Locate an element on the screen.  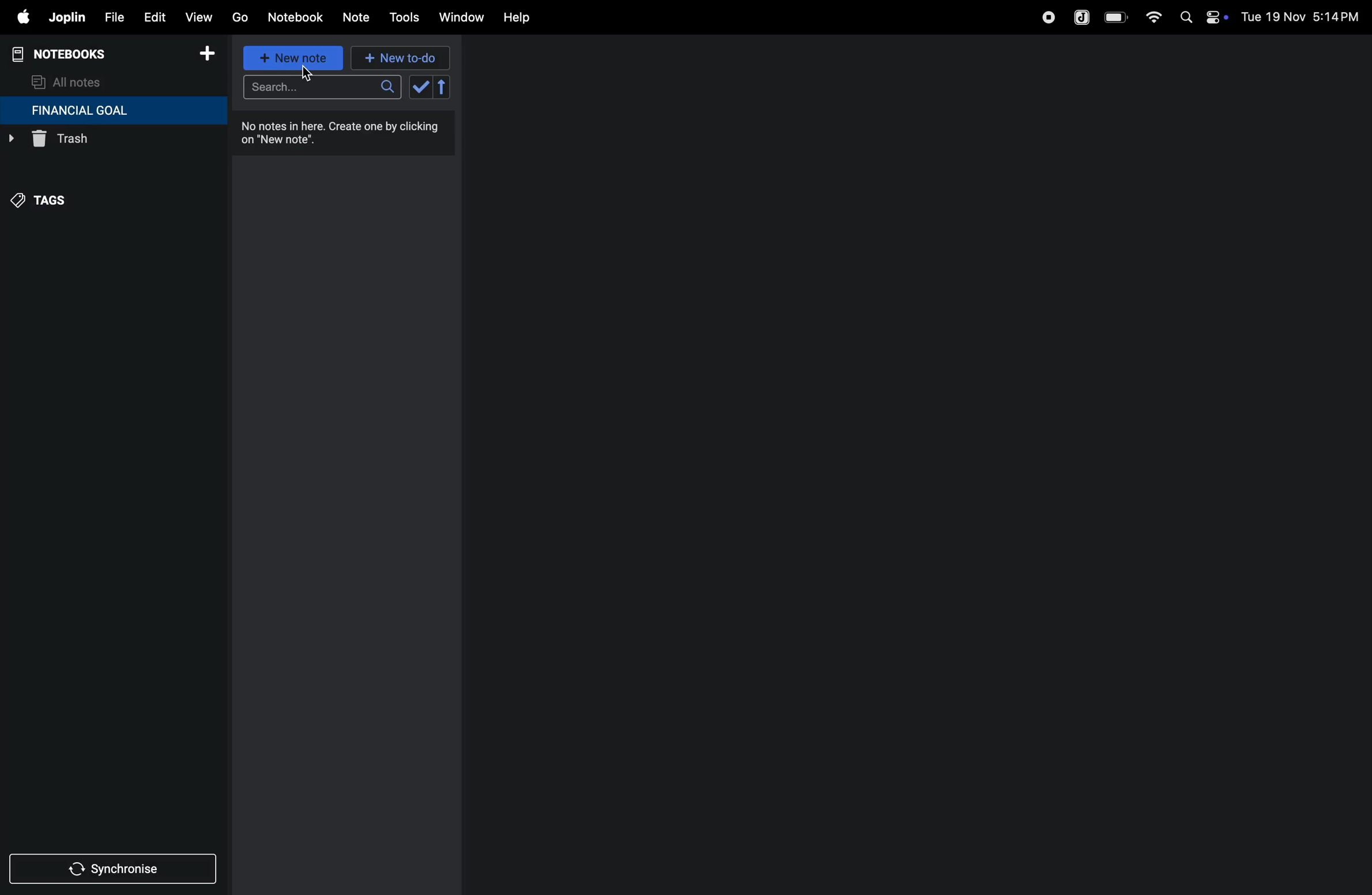
all notes is located at coordinates (67, 81).